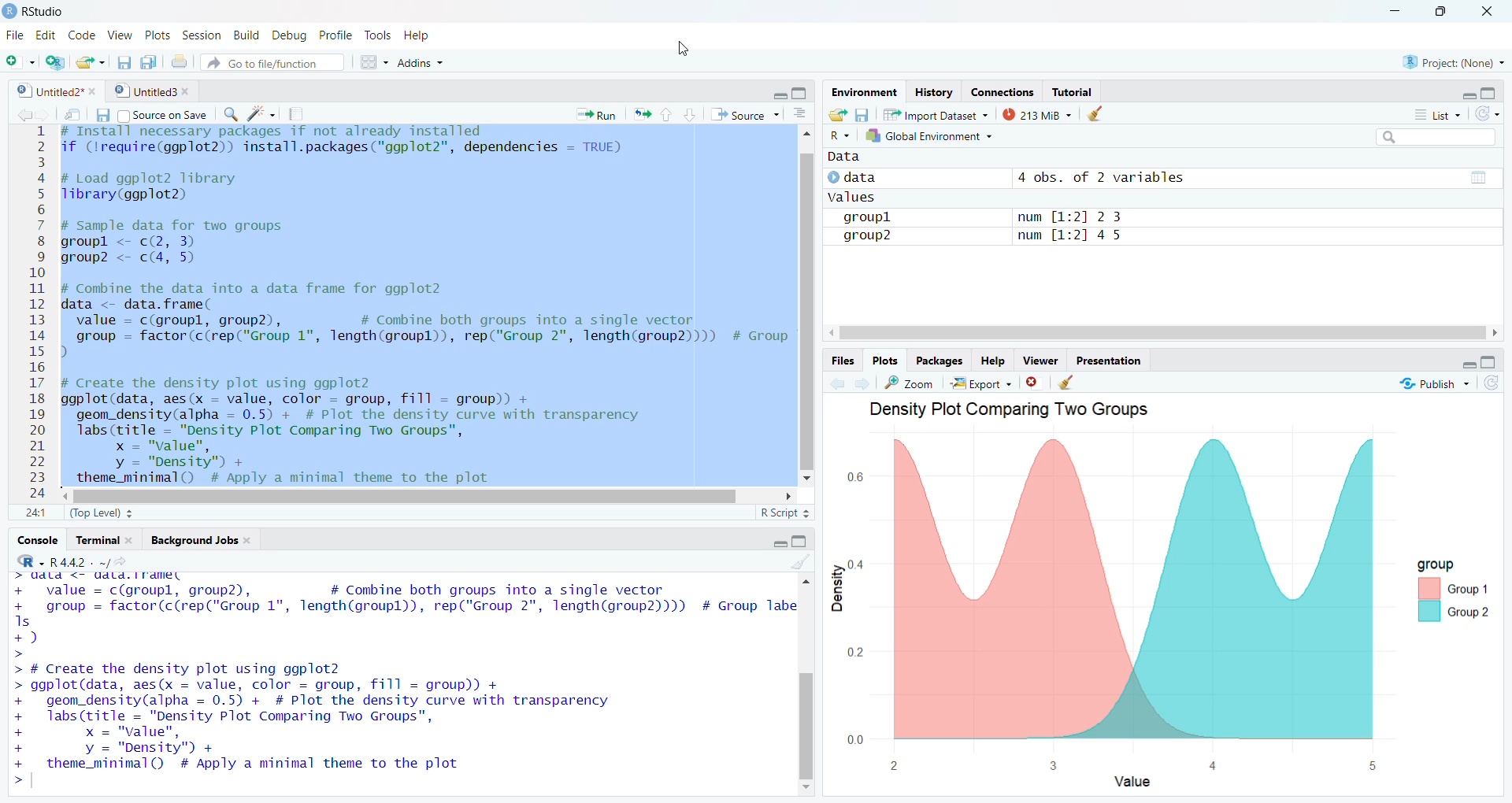  I want to click on session, so click(205, 34).